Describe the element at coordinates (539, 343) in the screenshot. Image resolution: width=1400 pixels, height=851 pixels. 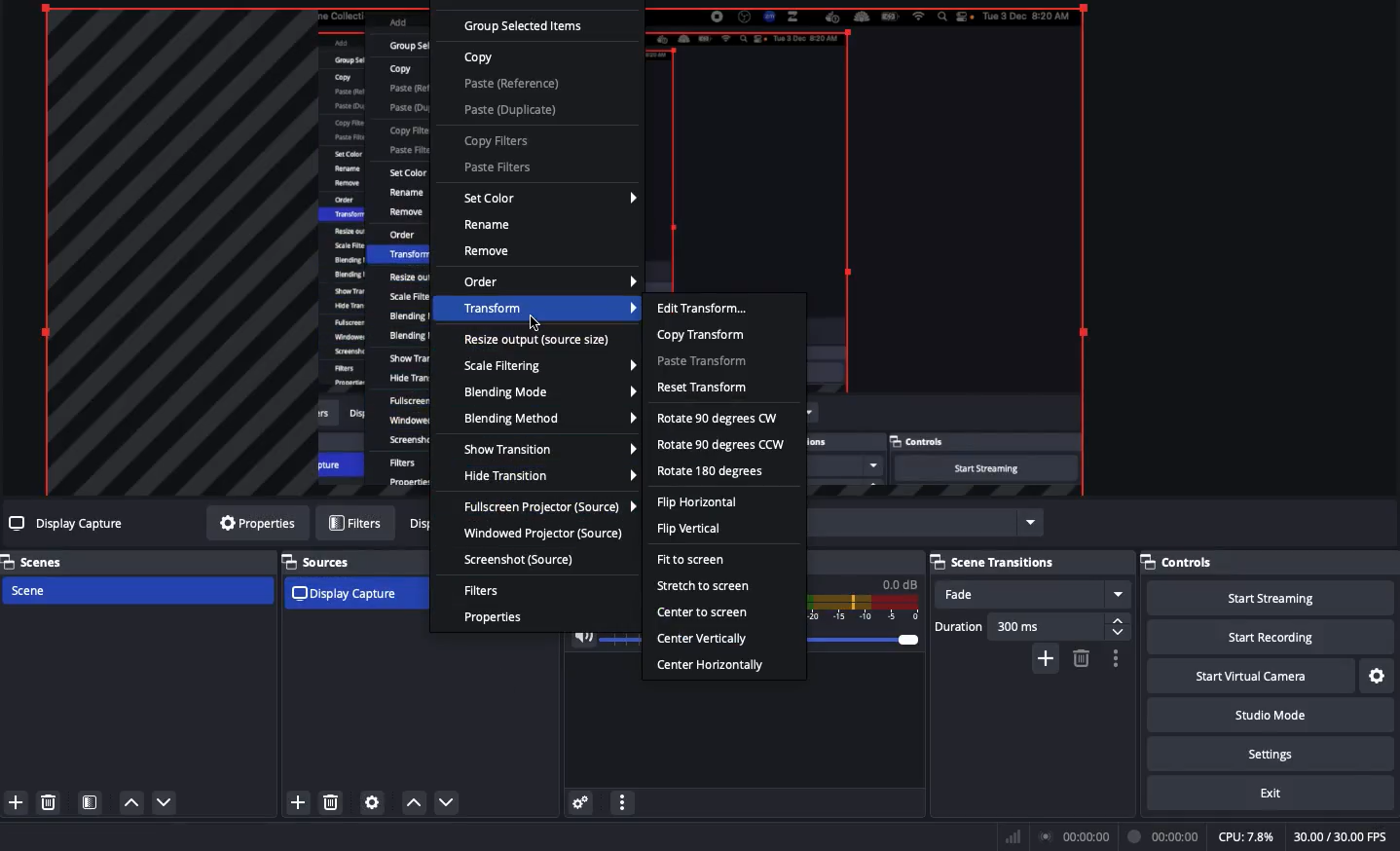
I see `Resize output` at that location.